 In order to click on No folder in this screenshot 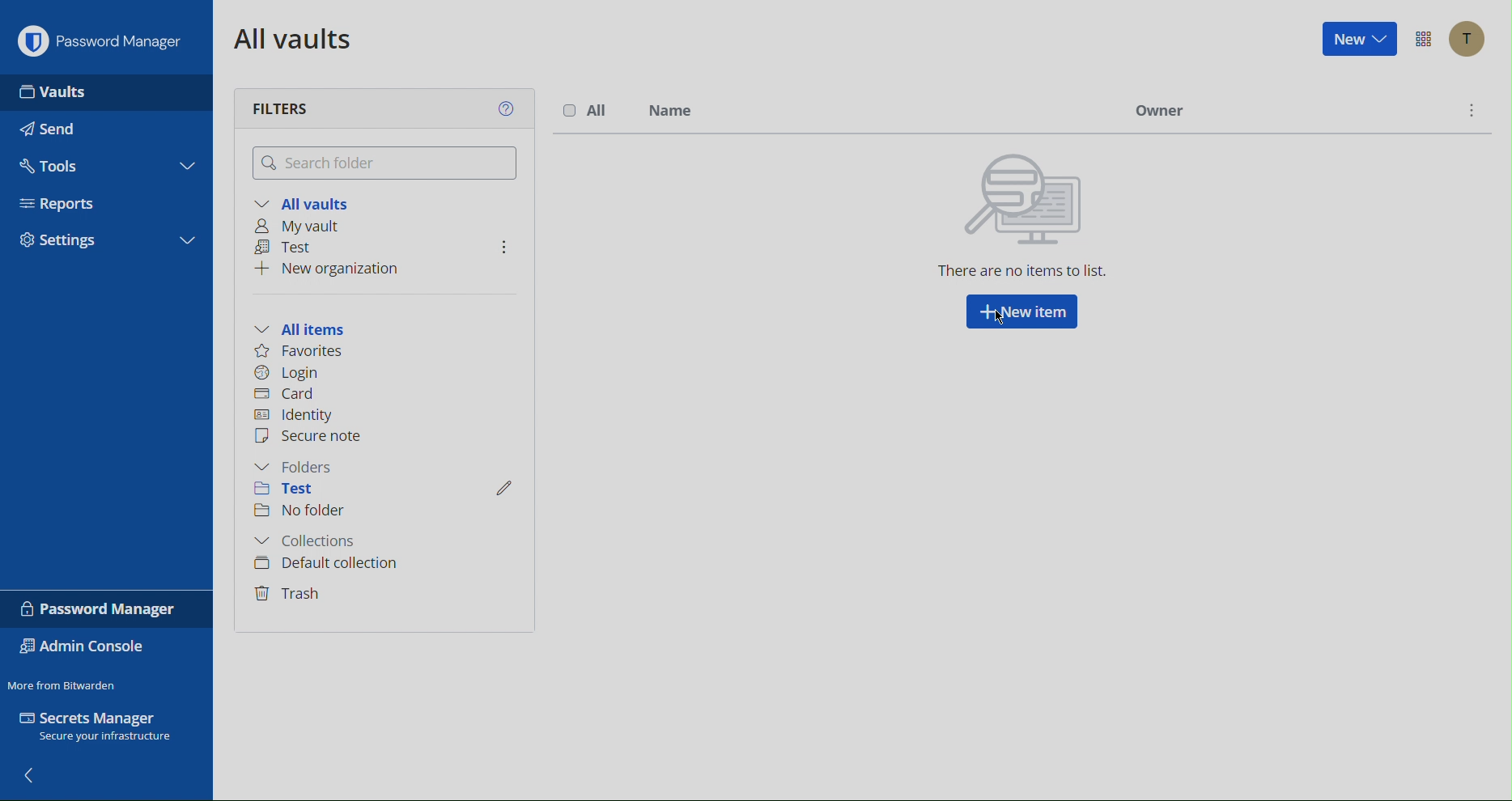, I will do `click(307, 511)`.